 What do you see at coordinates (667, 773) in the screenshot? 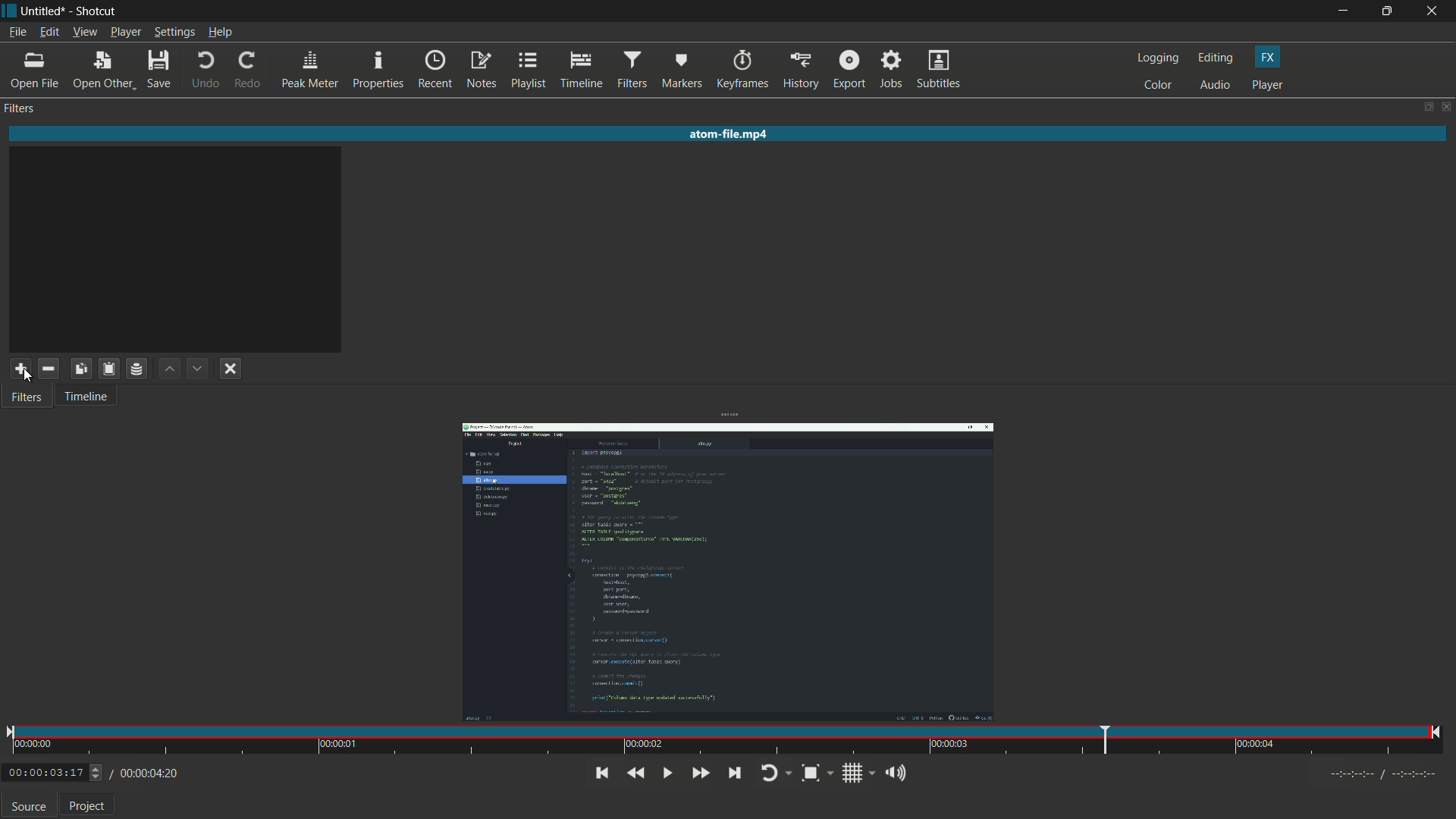
I see `toggle play or pause` at bounding box center [667, 773].